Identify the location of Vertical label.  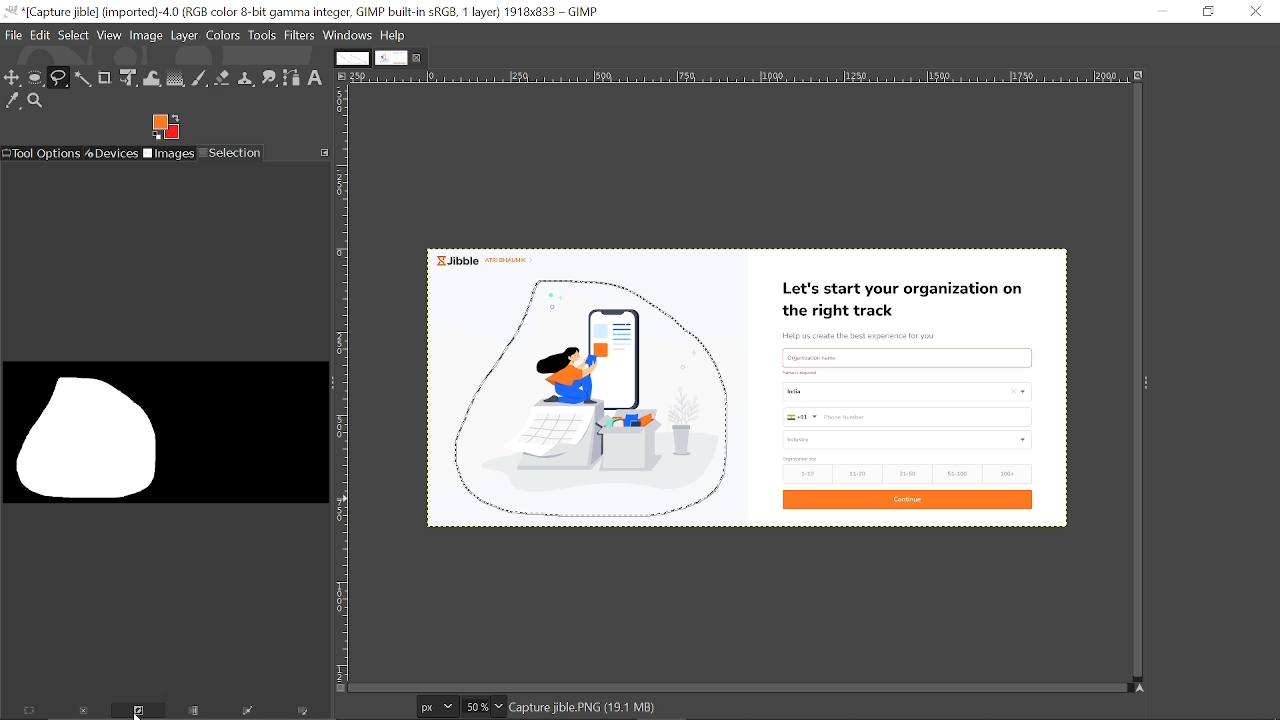
(344, 384).